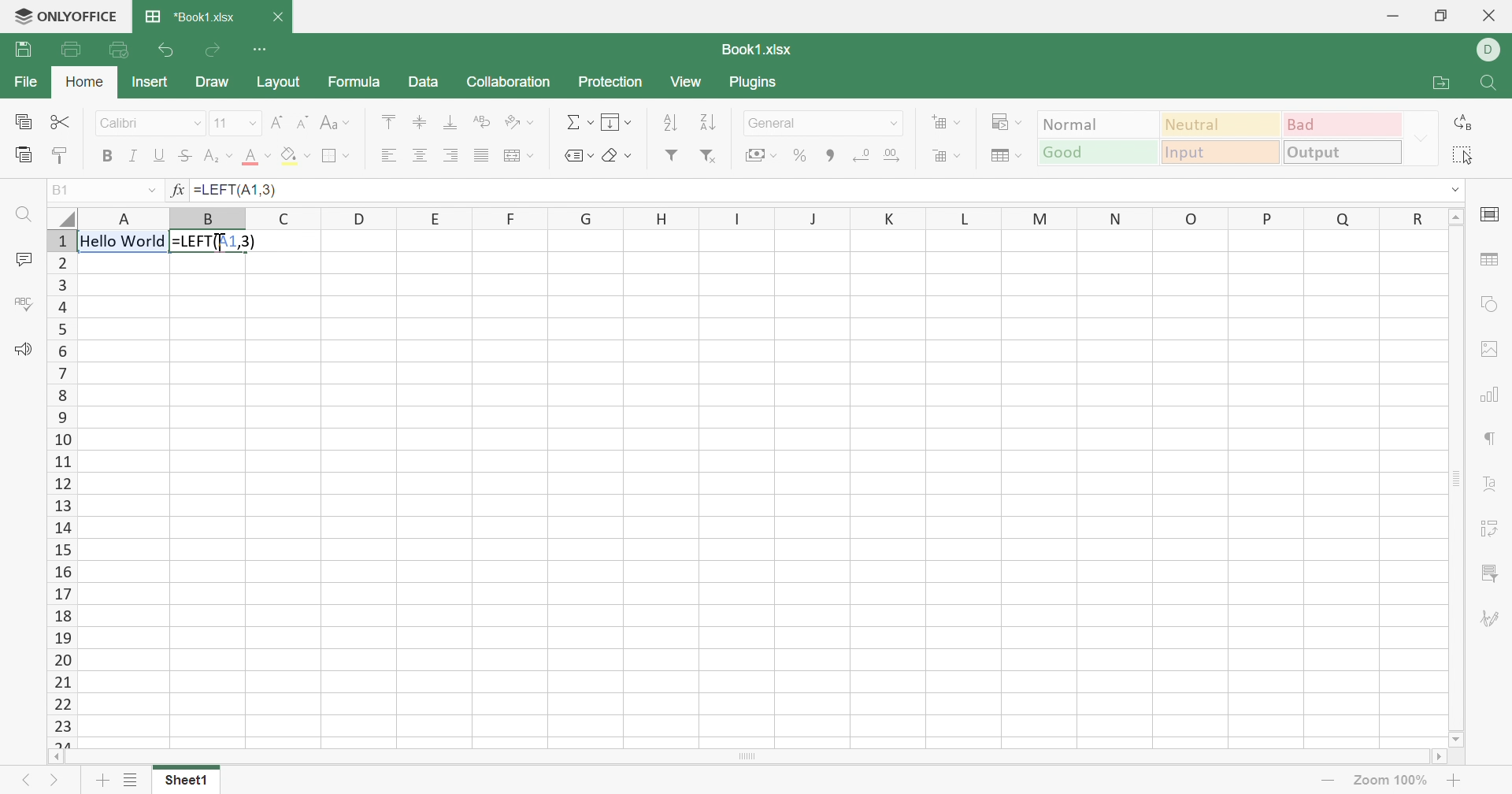 This screenshot has height=794, width=1512. What do you see at coordinates (860, 158) in the screenshot?
I see `Decrease decimal` at bounding box center [860, 158].